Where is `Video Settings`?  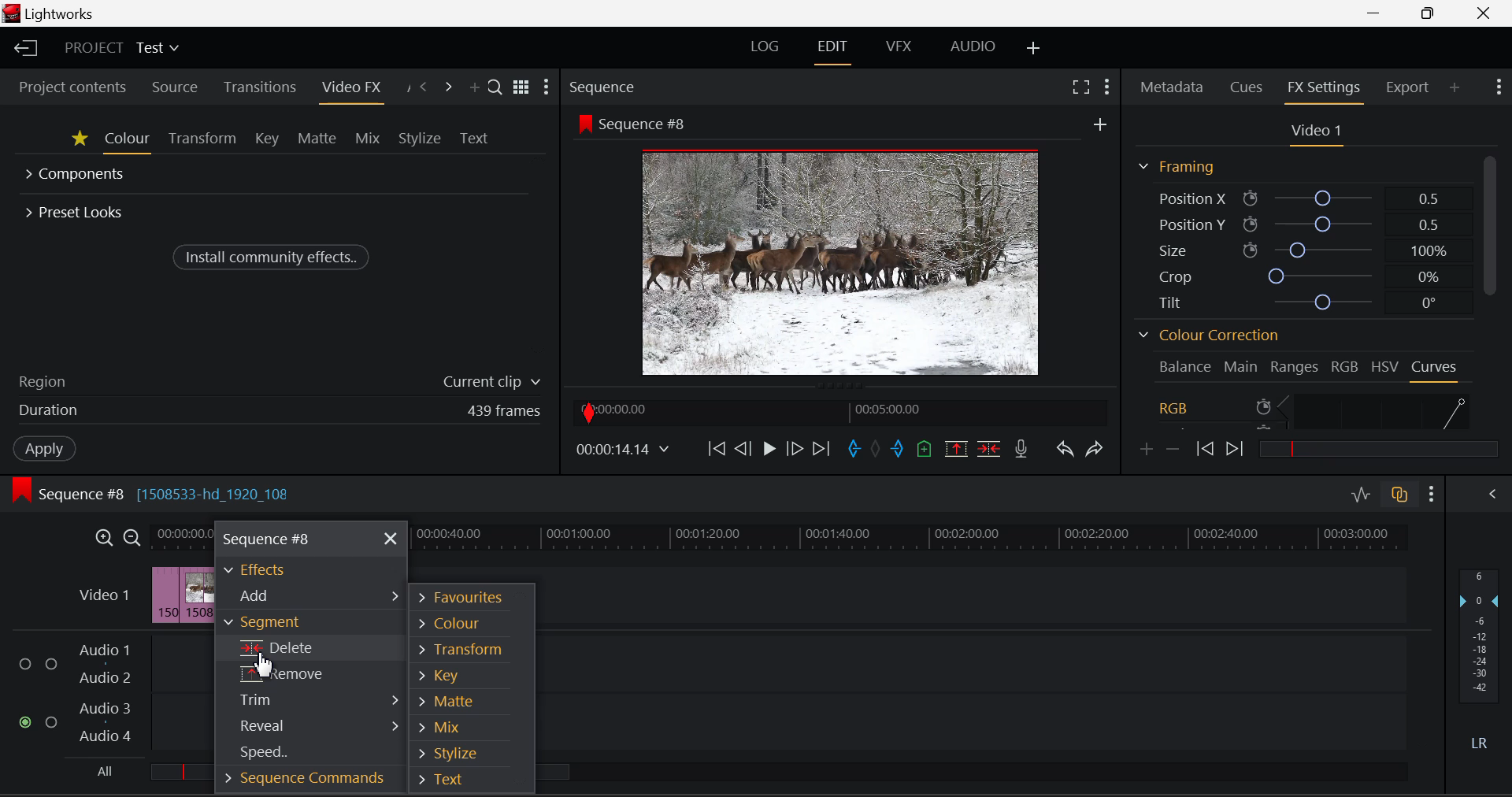
Video Settings is located at coordinates (1312, 132).